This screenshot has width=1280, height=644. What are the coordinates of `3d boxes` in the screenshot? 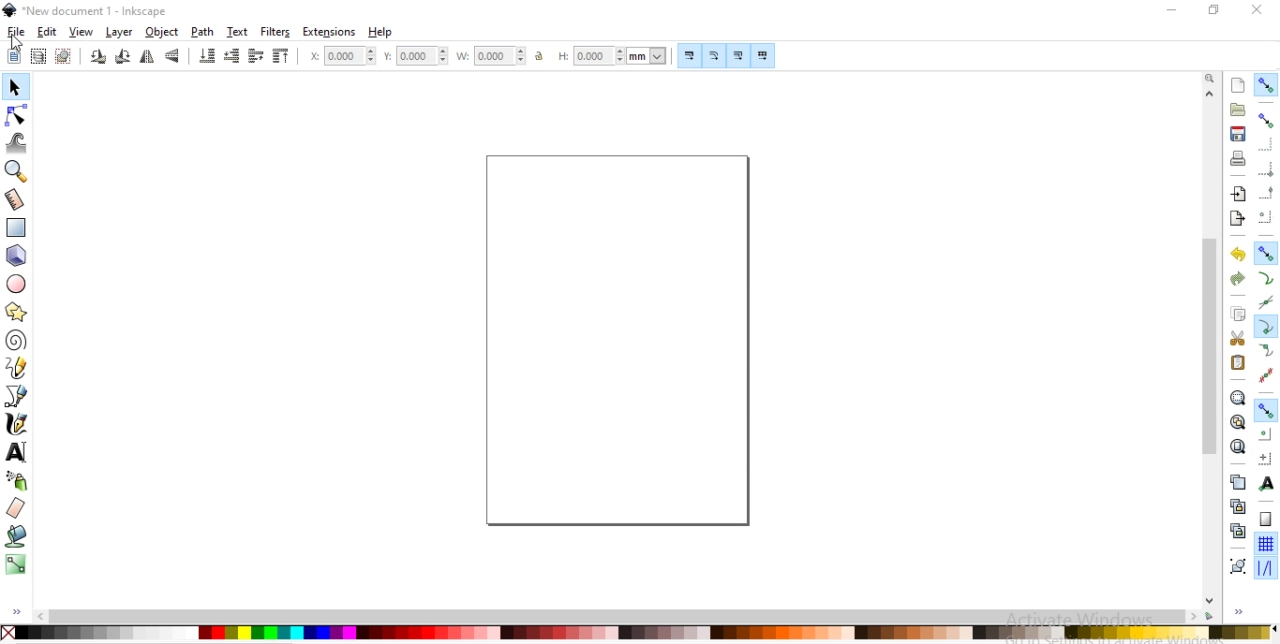 It's located at (16, 256).